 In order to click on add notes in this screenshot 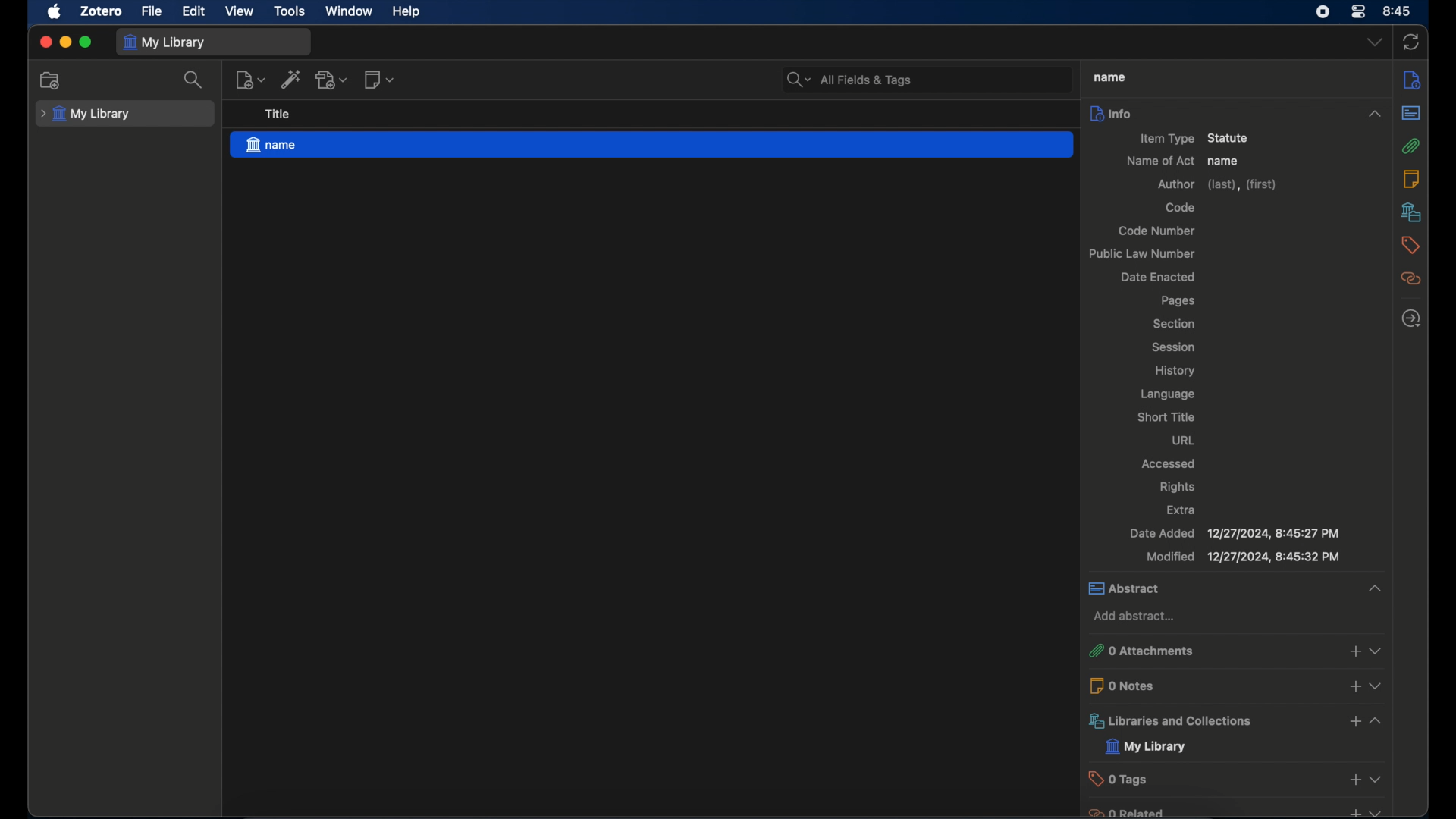, I will do `click(1353, 686)`.